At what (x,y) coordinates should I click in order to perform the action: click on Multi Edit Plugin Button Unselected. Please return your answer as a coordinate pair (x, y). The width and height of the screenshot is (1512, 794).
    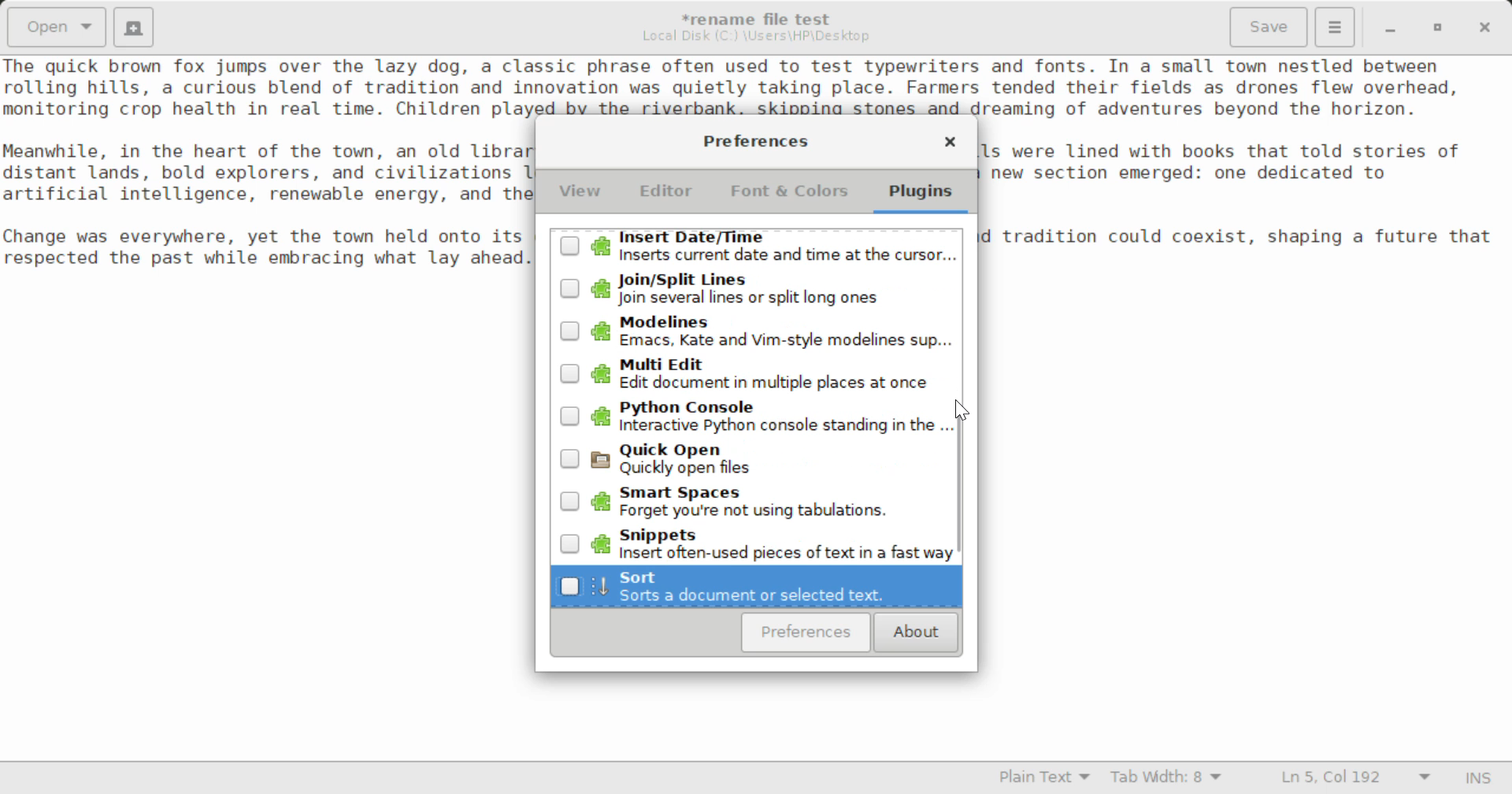
    Looking at the image, I should click on (755, 373).